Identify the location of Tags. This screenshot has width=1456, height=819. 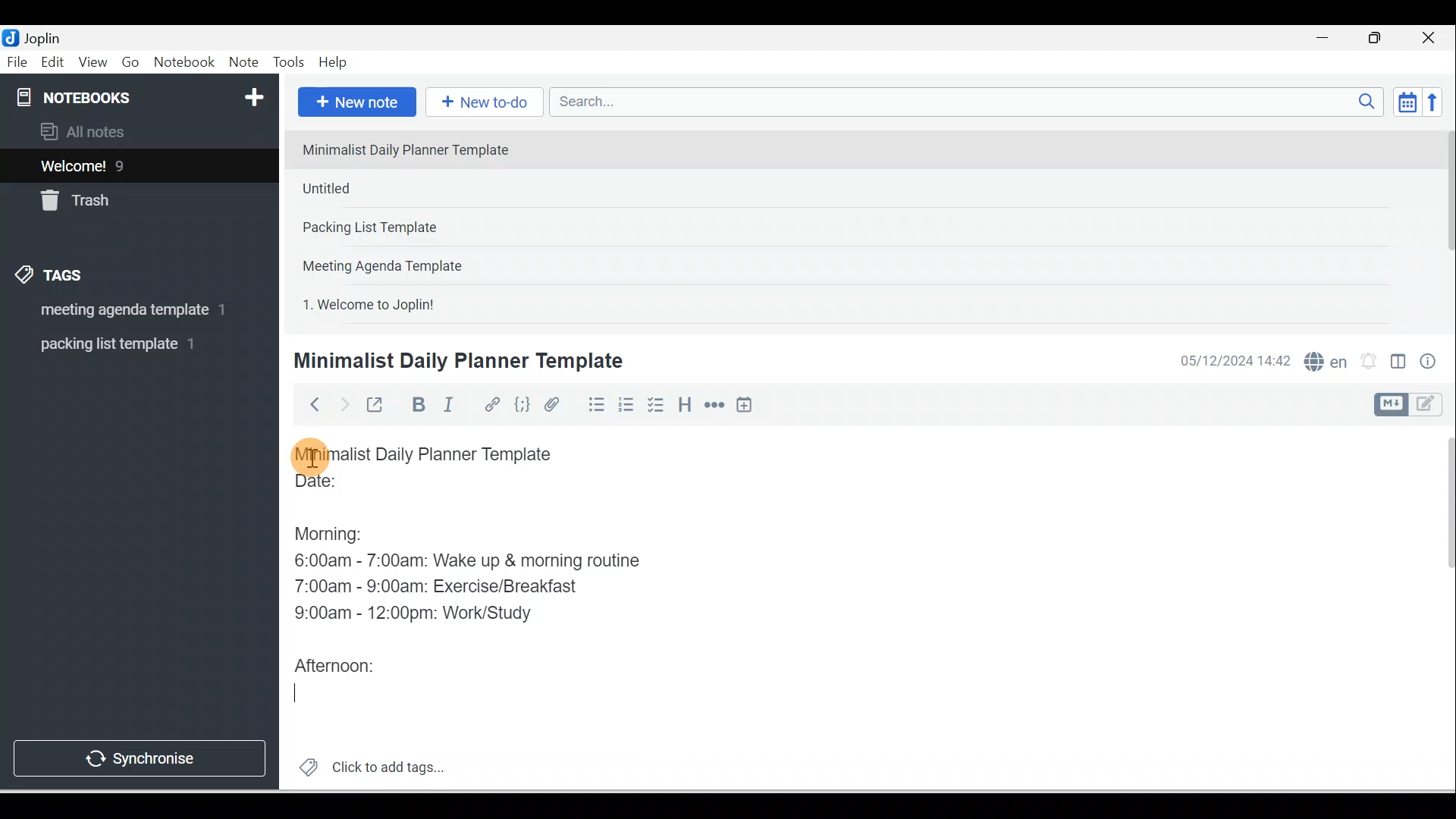
(54, 278).